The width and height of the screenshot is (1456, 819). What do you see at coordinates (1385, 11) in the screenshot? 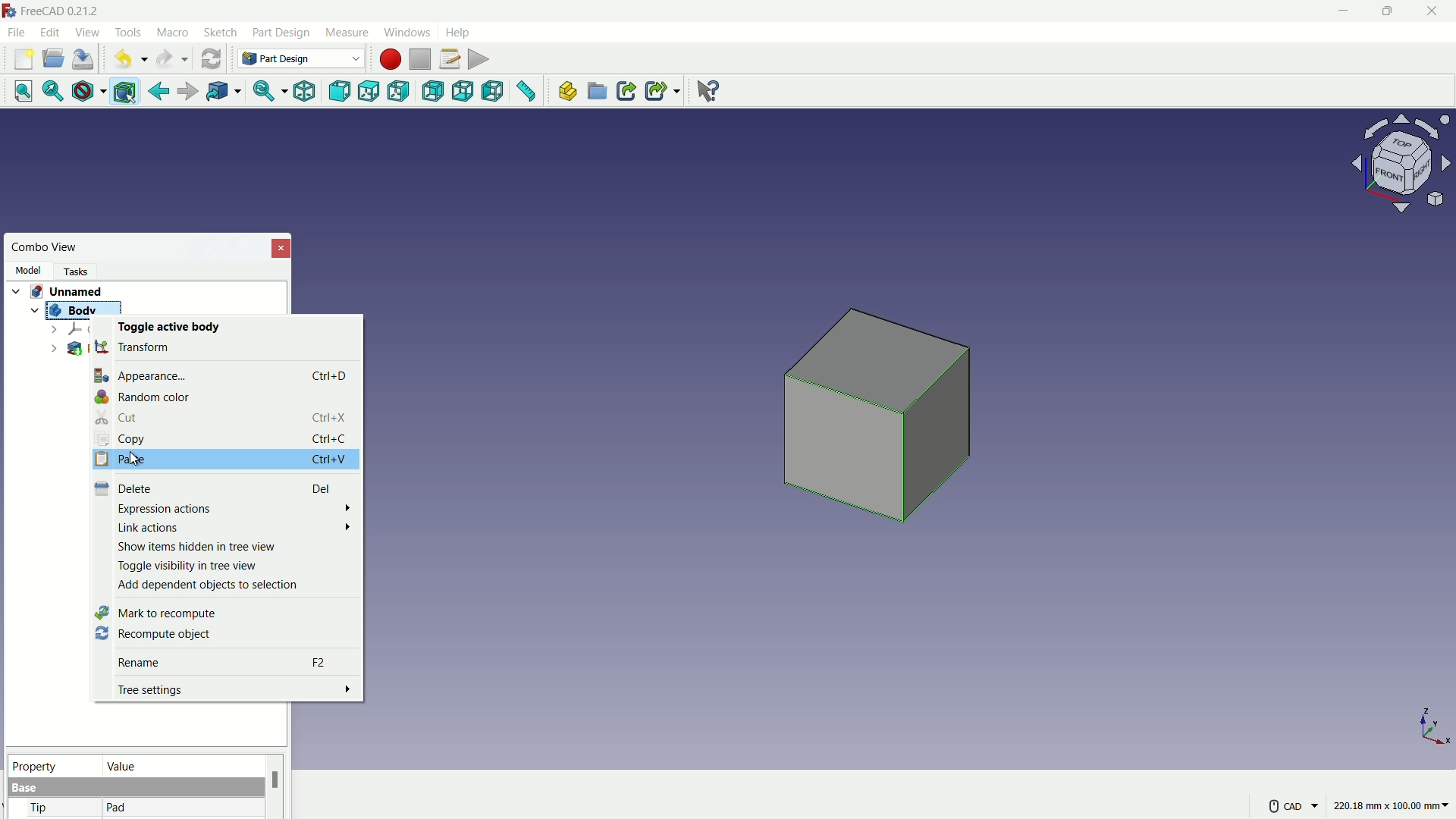
I see `maximize or restore` at bounding box center [1385, 11].